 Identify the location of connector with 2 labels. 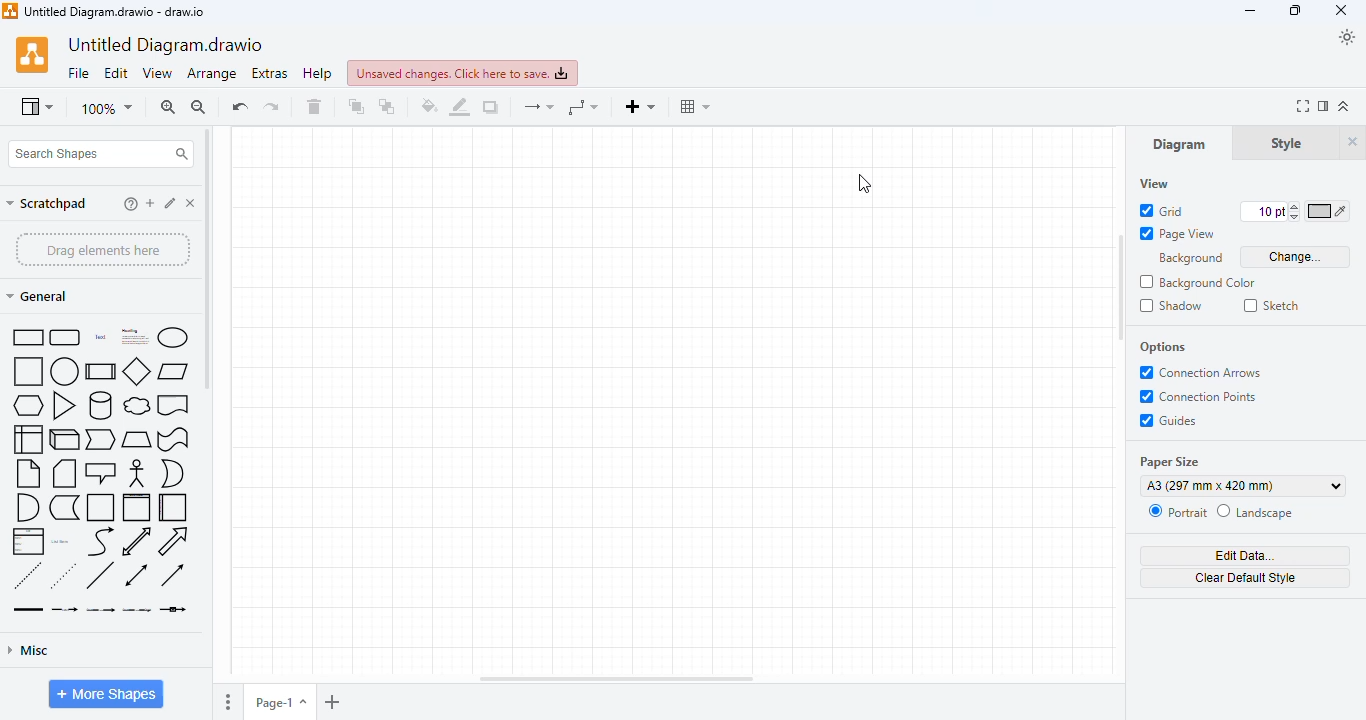
(100, 610).